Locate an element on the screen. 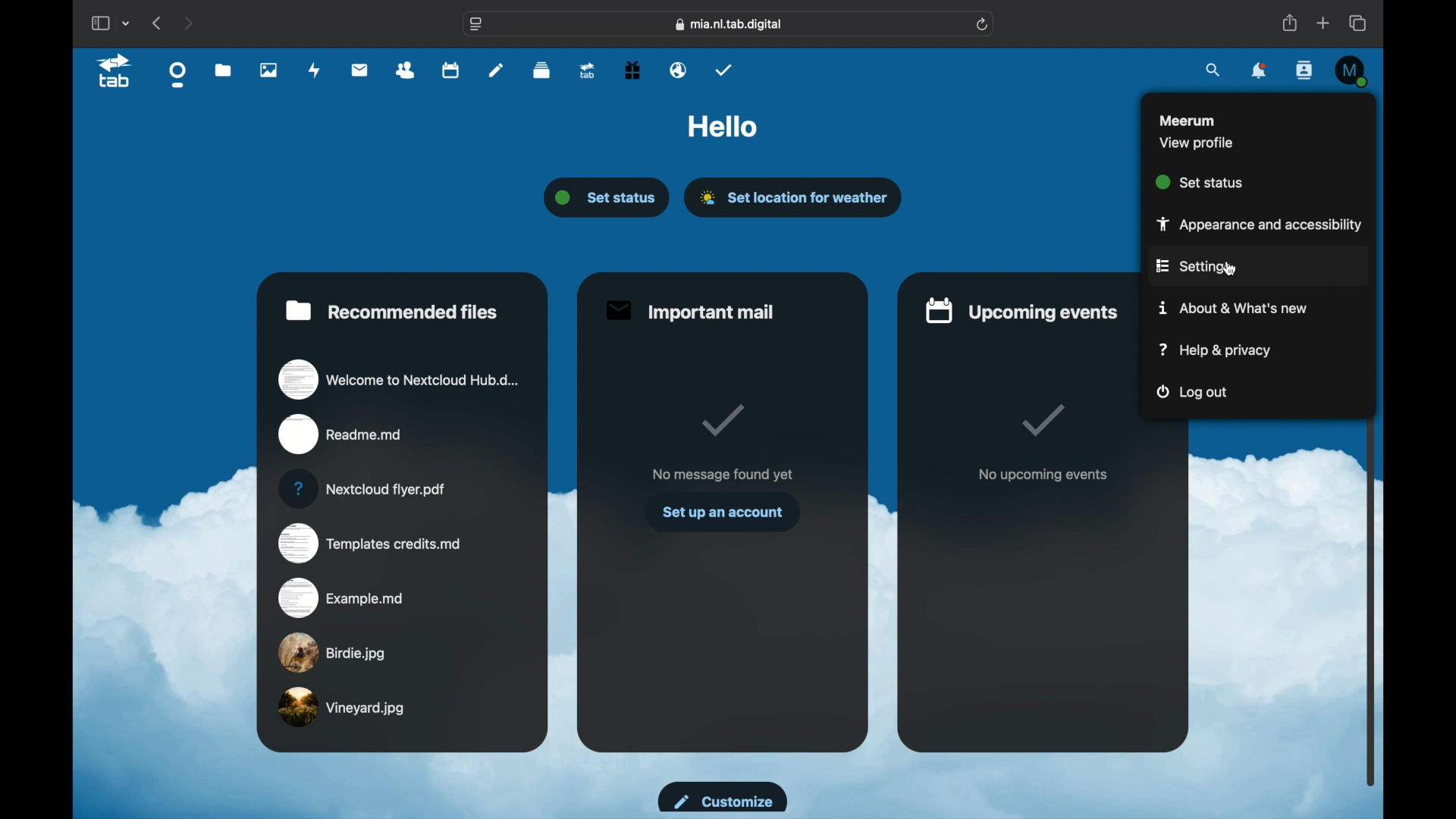 Image resolution: width=1456 pixels, height=819 pixels. set status is located at coordinates (1200, 181).